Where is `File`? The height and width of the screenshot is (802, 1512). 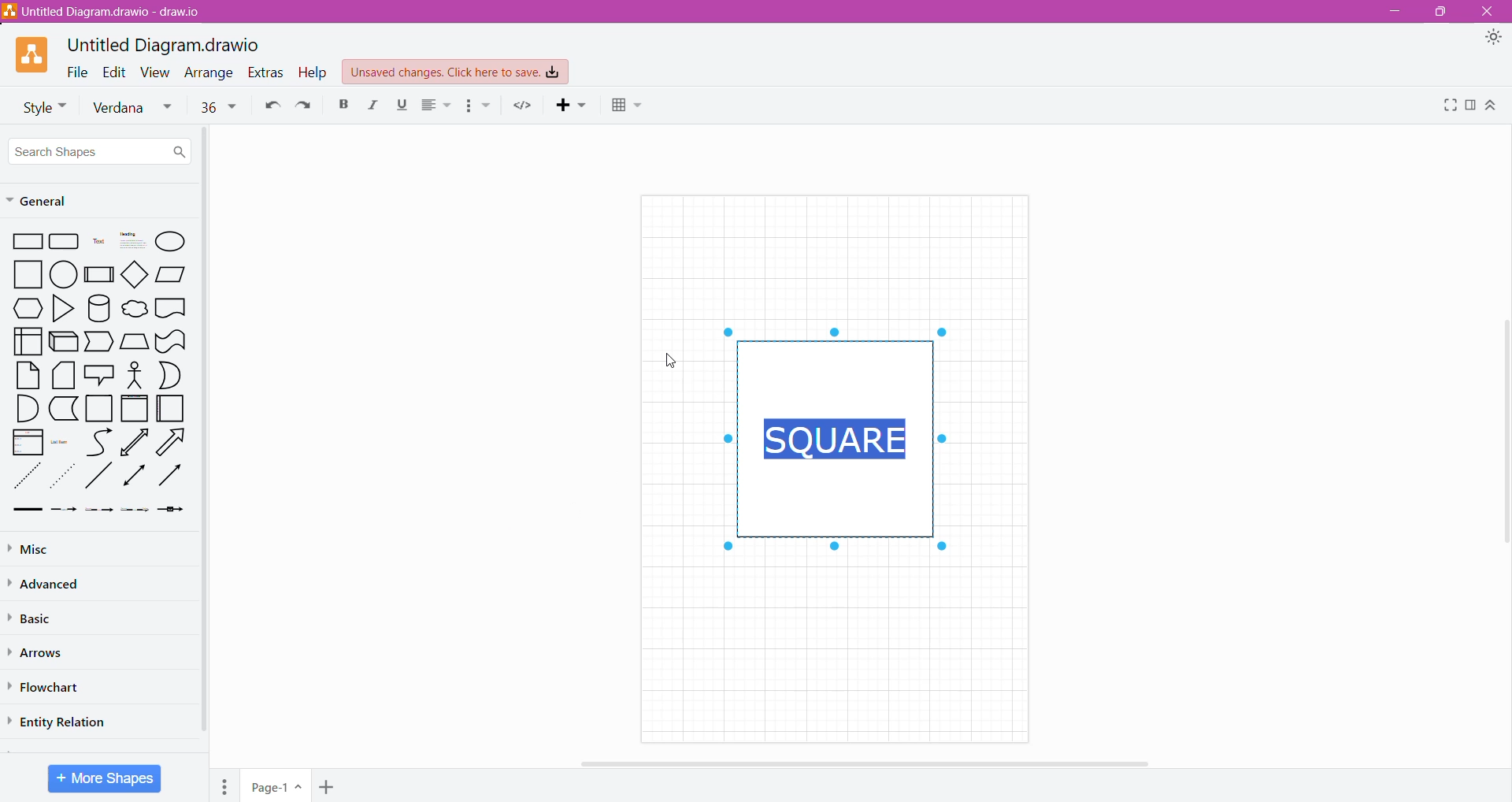
File is located at coordinates (78, 71).